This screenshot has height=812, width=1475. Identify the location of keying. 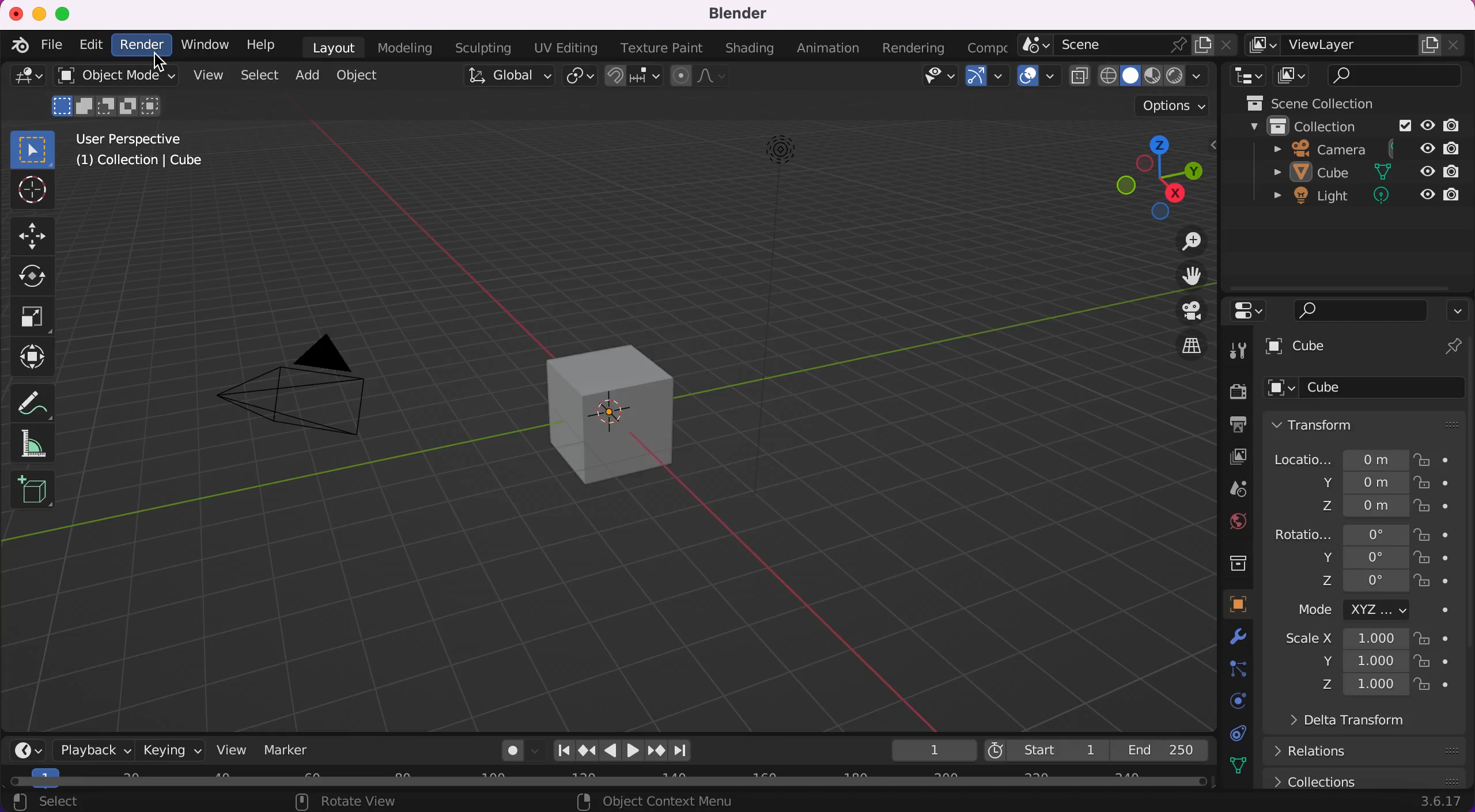
(171, 749).